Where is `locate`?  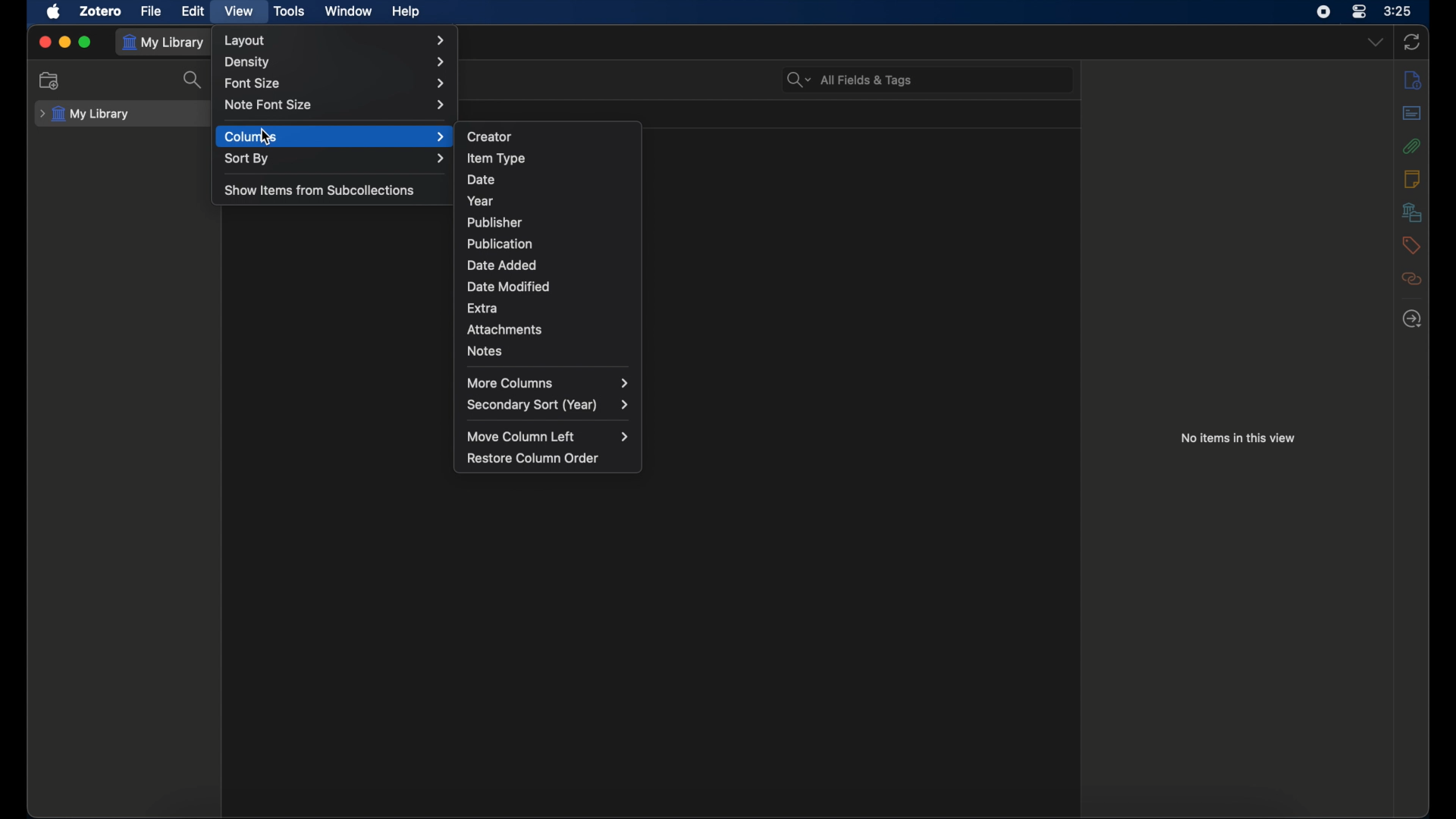 locate is located at coordinates (1412, 319).